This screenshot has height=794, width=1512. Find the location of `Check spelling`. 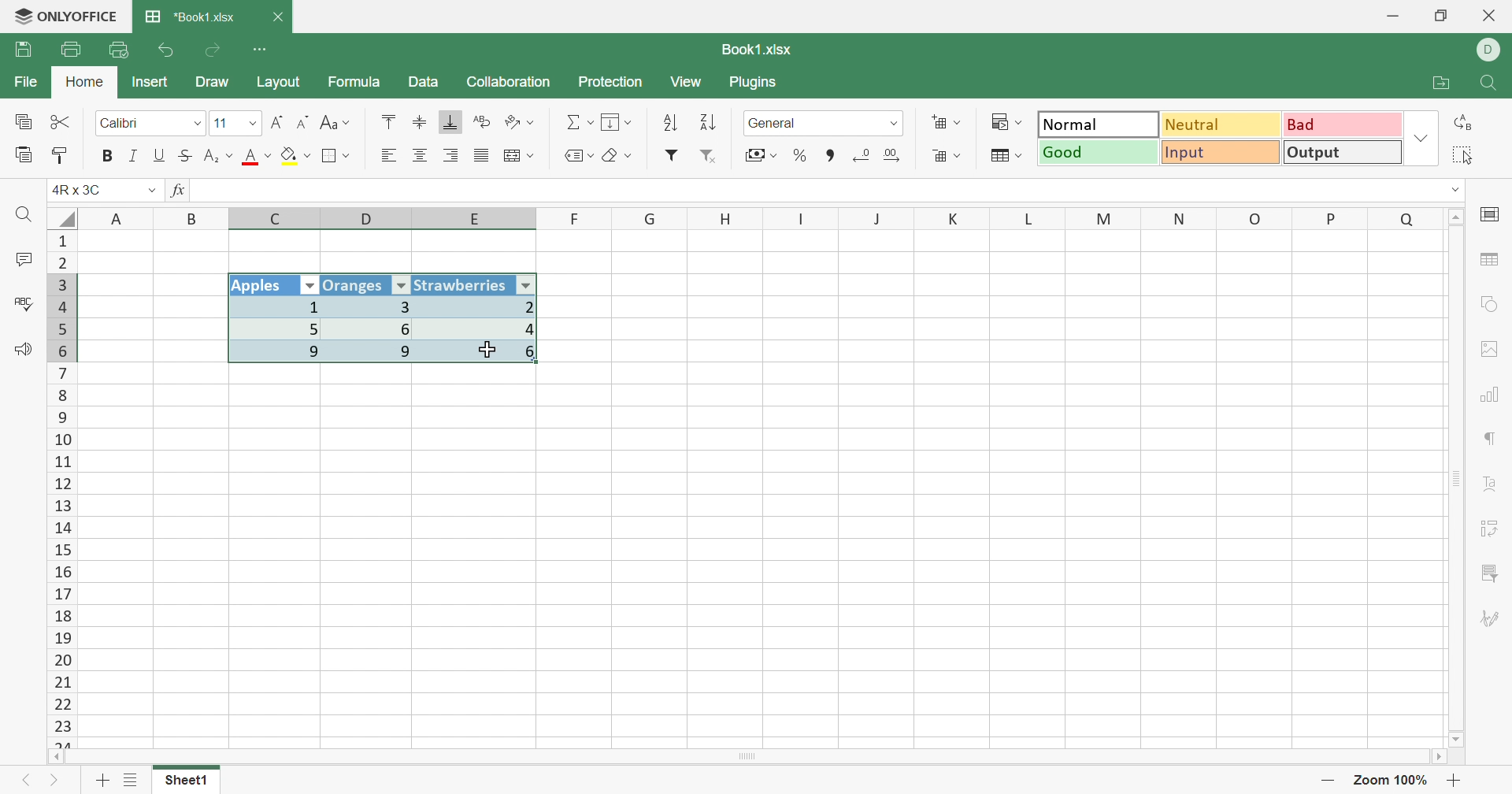

Check spelling is located at coordinates (21, 304).